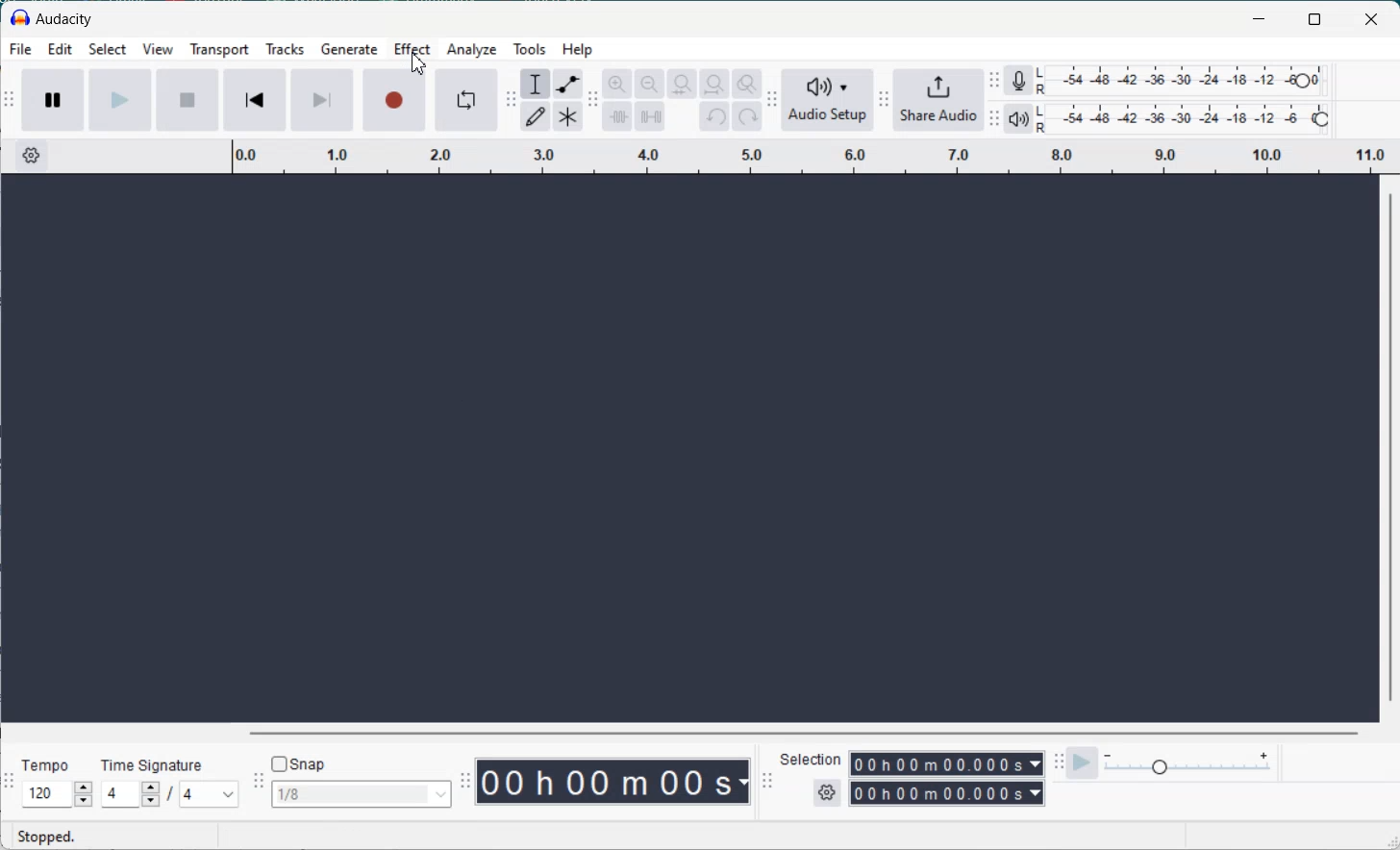 The image size is (1400, 850). Describe the element at coordinates (209, 794) in the screenshot. I see `4` at that location.